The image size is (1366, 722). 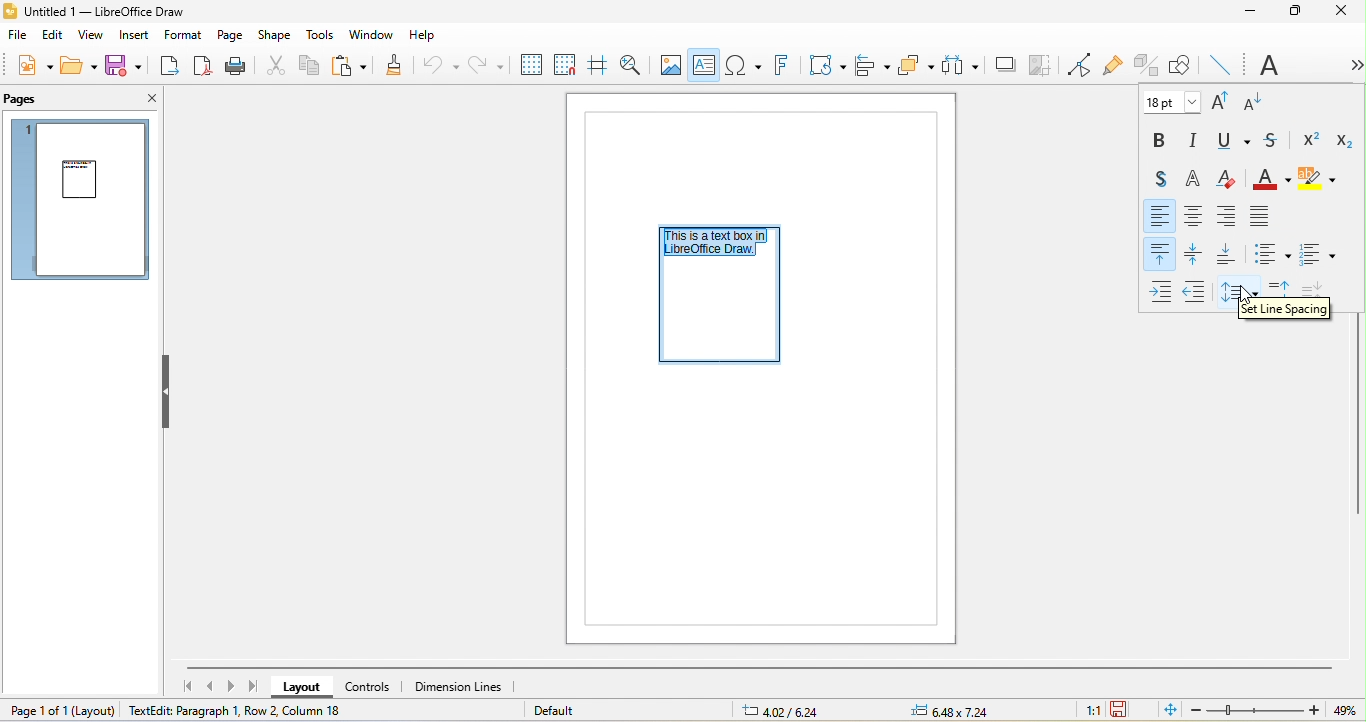 What do you see at coordinates (231, 686) in the screenshot?
I see `next page` at bounding box center [231, 686].